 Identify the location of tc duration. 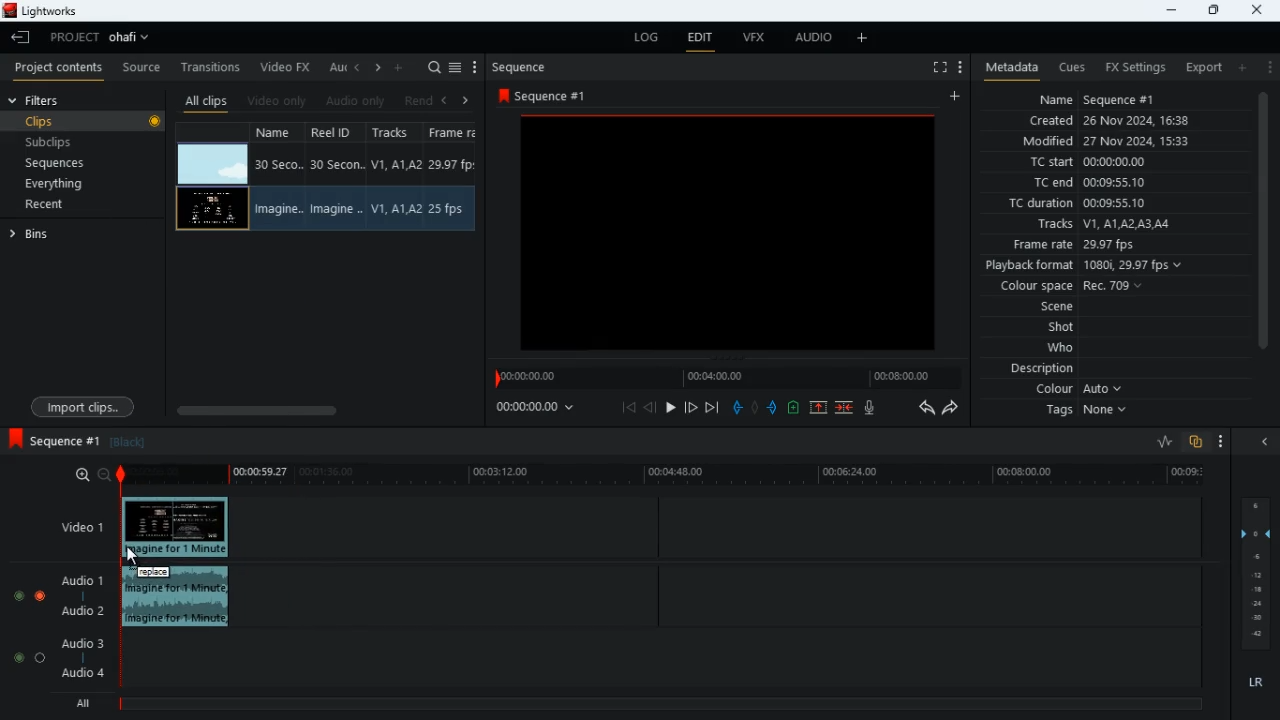
(1110, 205).